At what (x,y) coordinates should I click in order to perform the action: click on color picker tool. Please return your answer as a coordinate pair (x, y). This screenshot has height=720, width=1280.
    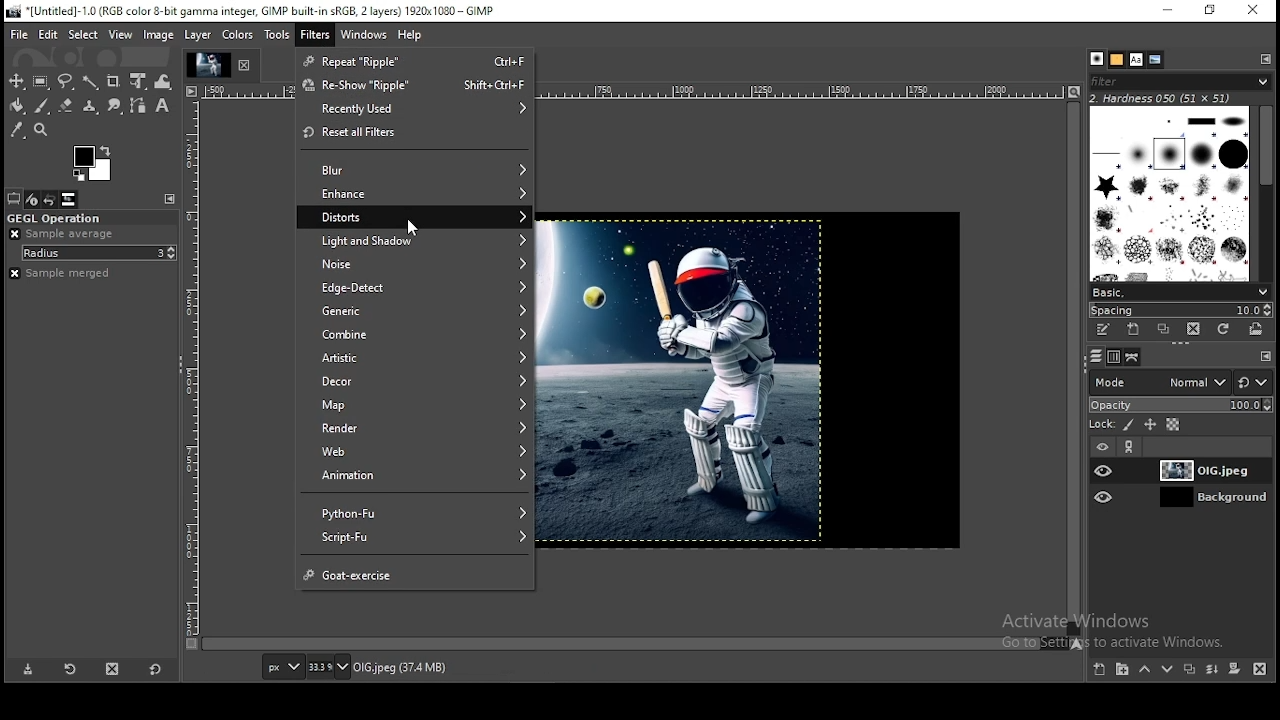
    Looking at the image, I should click on (18, 130).